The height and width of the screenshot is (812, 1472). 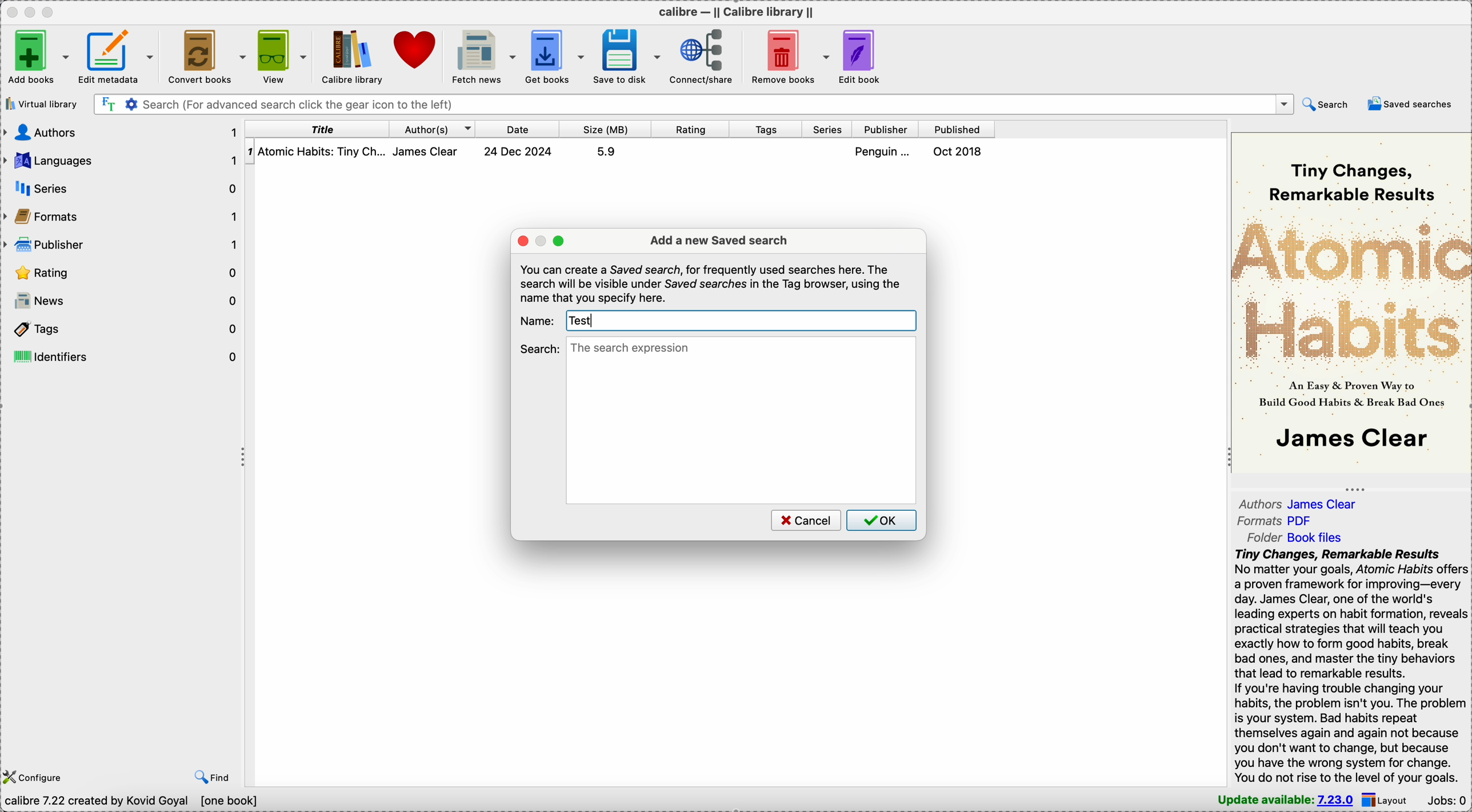 I want to click on layout, so click(x=1389, y=799).